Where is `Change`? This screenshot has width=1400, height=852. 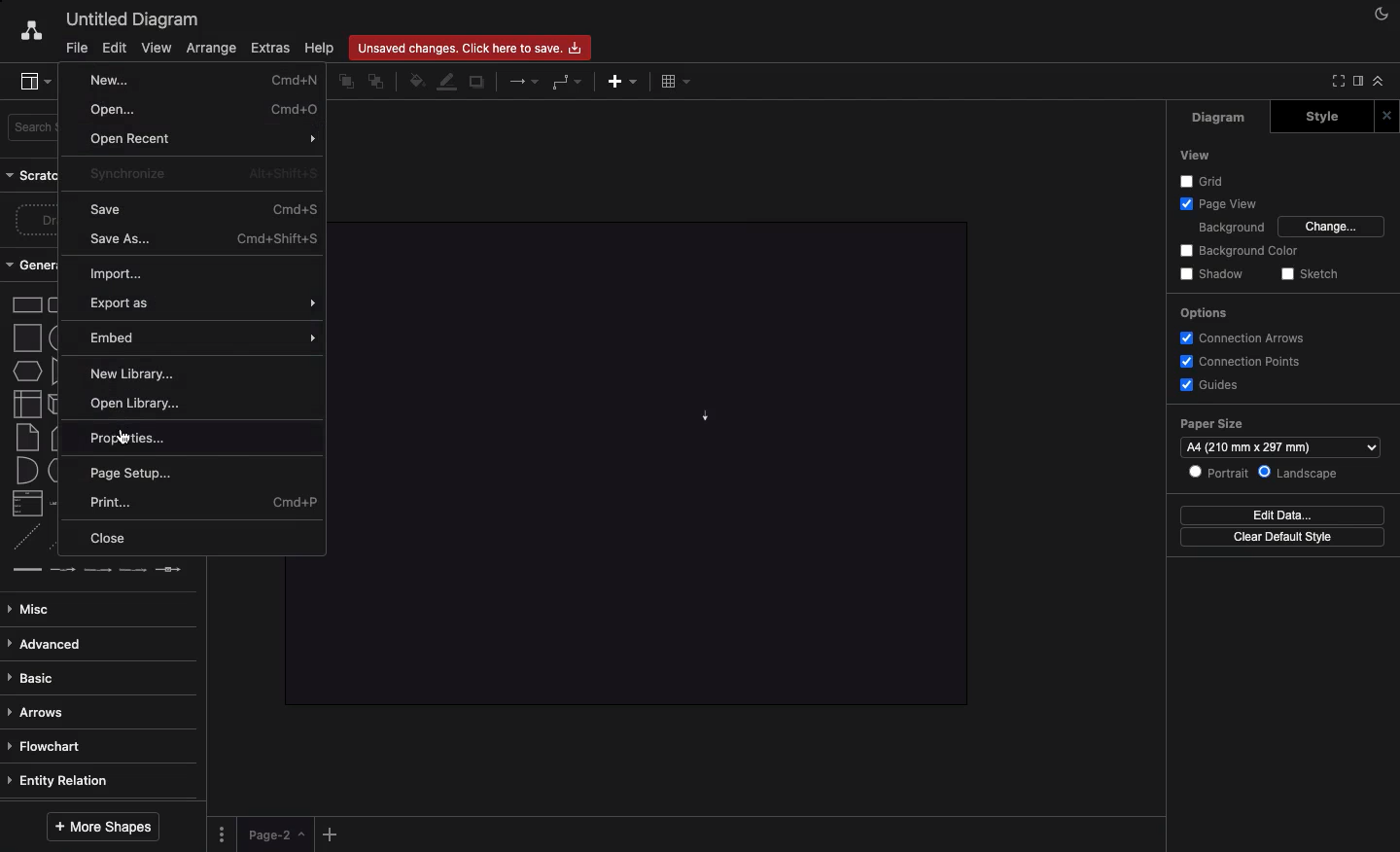 Change is located at coordinates (1333, 227).